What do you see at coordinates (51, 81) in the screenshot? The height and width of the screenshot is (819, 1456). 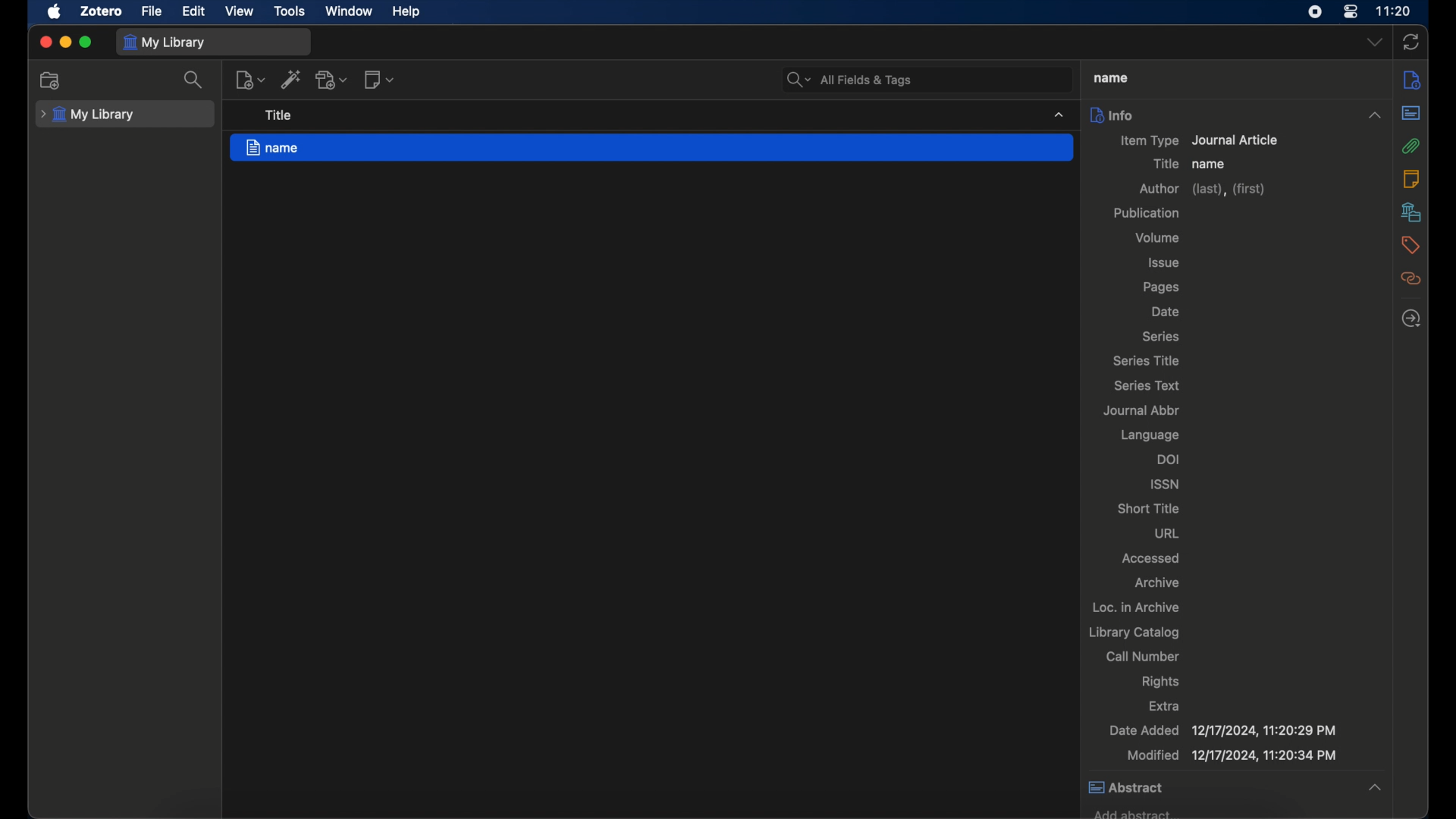 I see `add collection` at bounding box center [51, 81].